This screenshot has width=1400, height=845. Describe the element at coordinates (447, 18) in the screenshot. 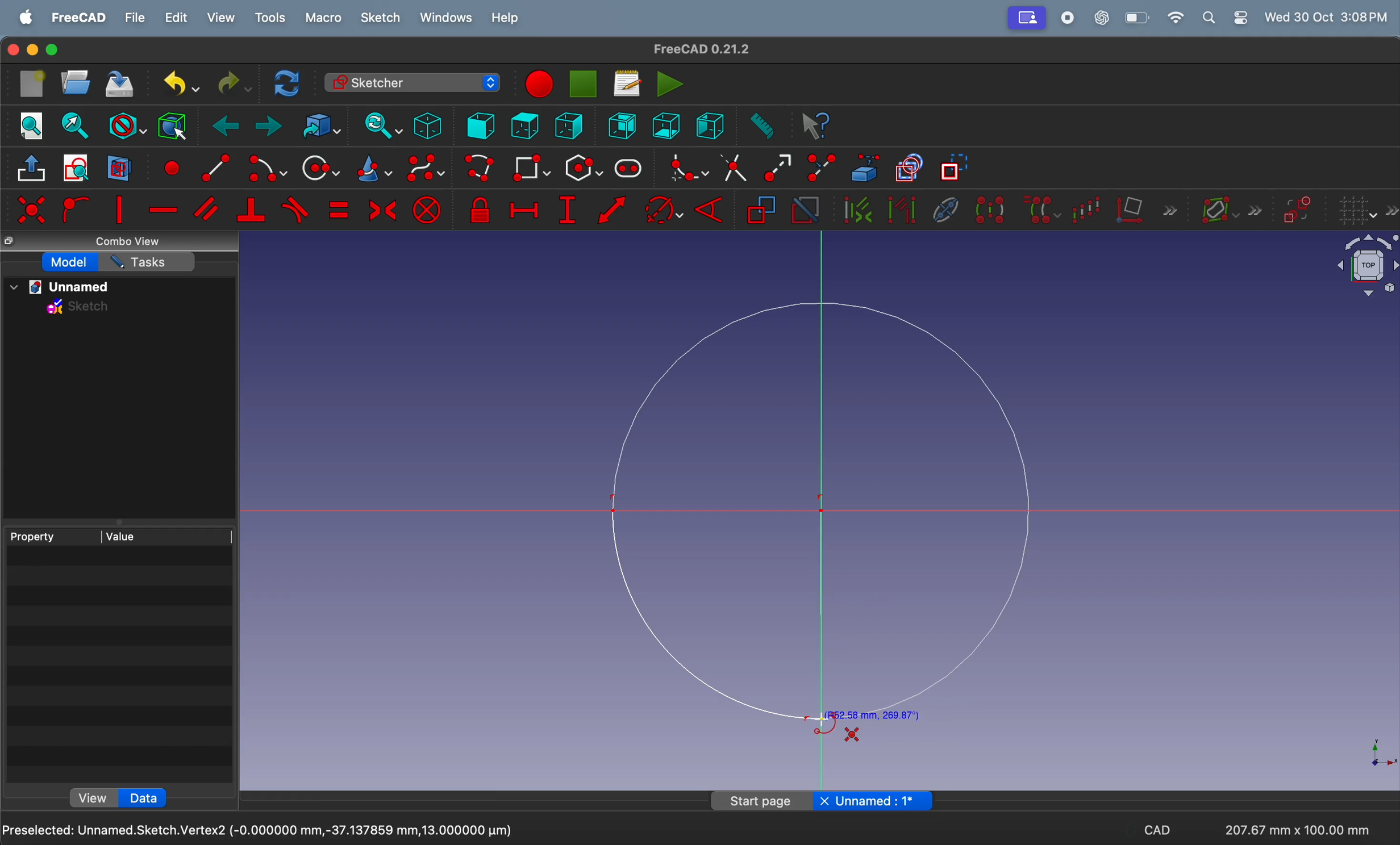

I see `windows` at that location.